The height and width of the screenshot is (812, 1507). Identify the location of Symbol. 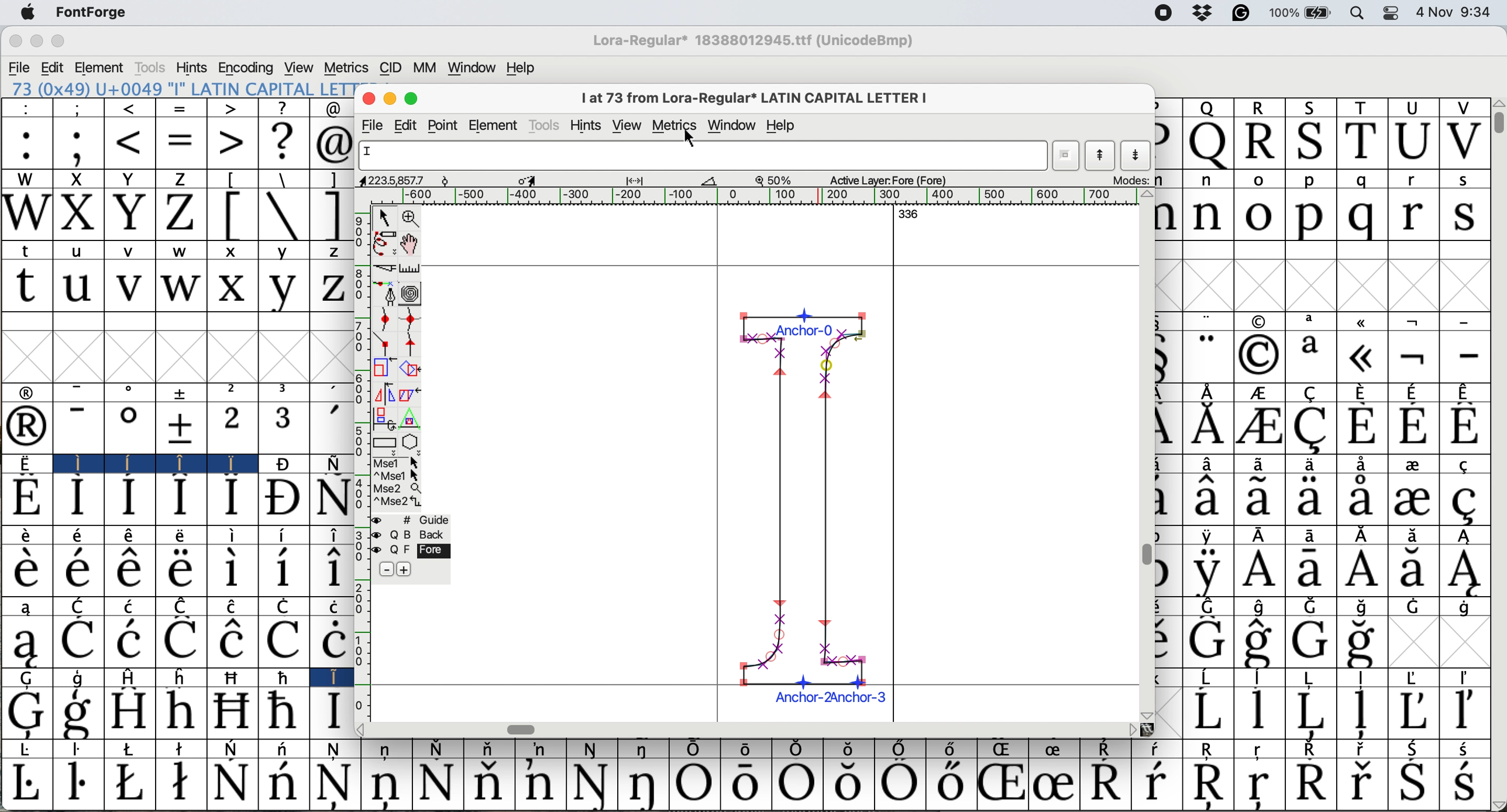
(330, 605).